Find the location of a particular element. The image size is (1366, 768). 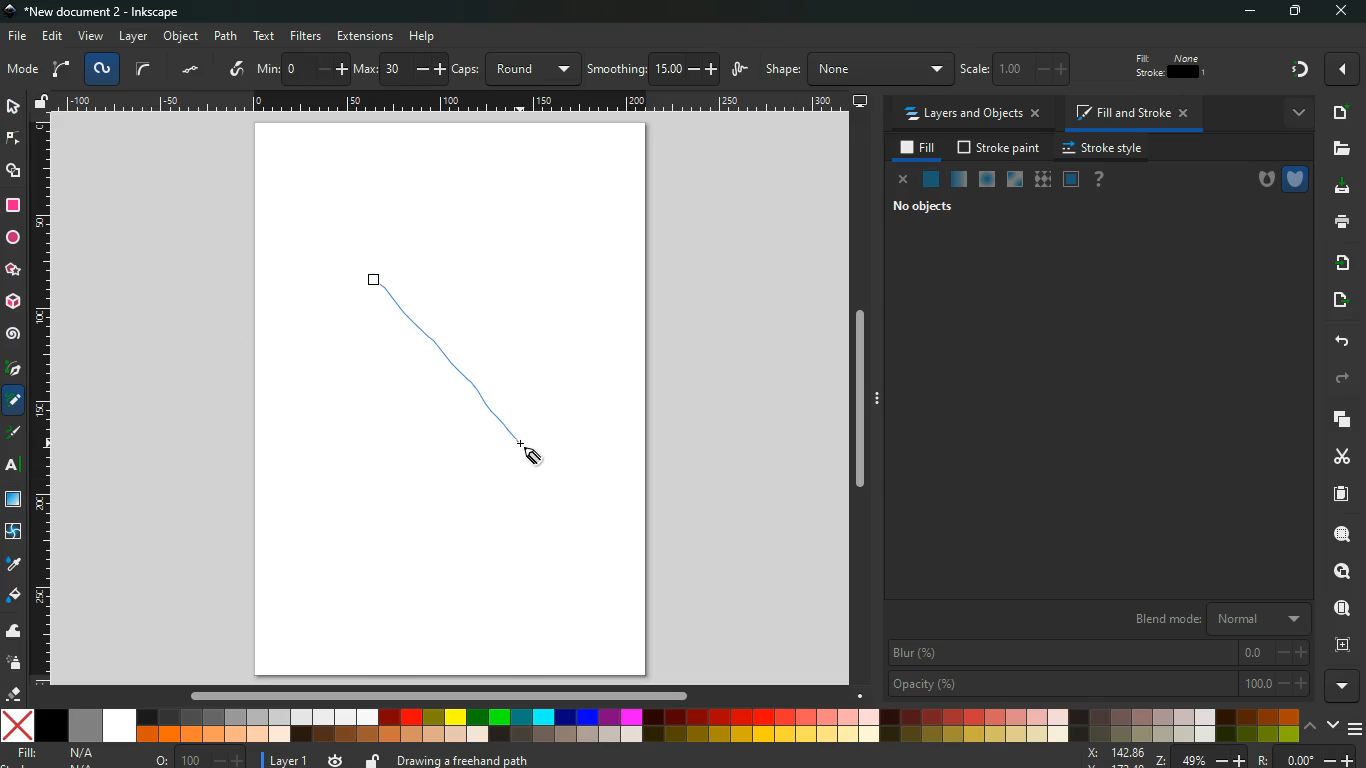

blur is located at coordinates (1098, 651).